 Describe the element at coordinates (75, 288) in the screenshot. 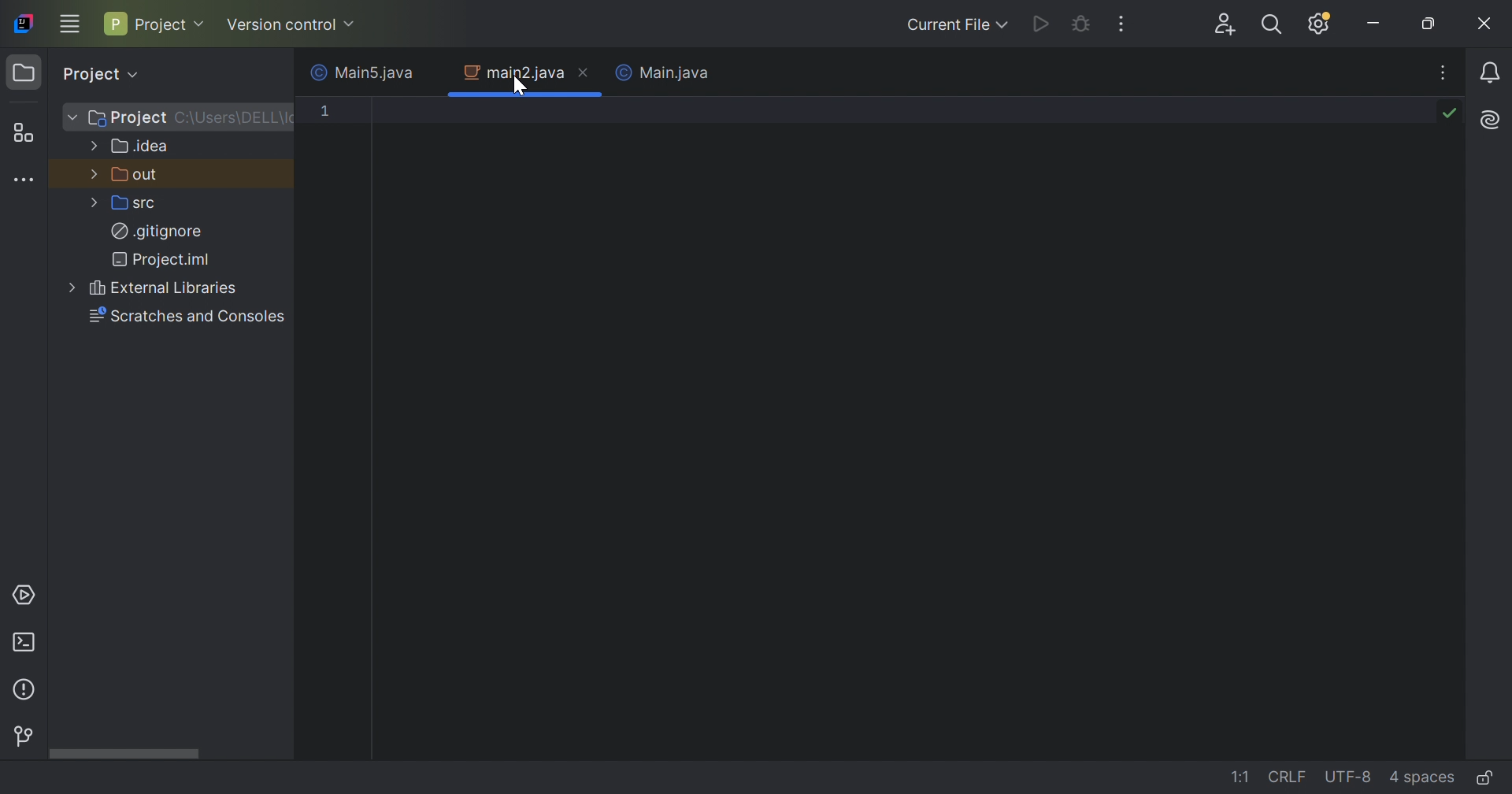

I see `More` at that location.